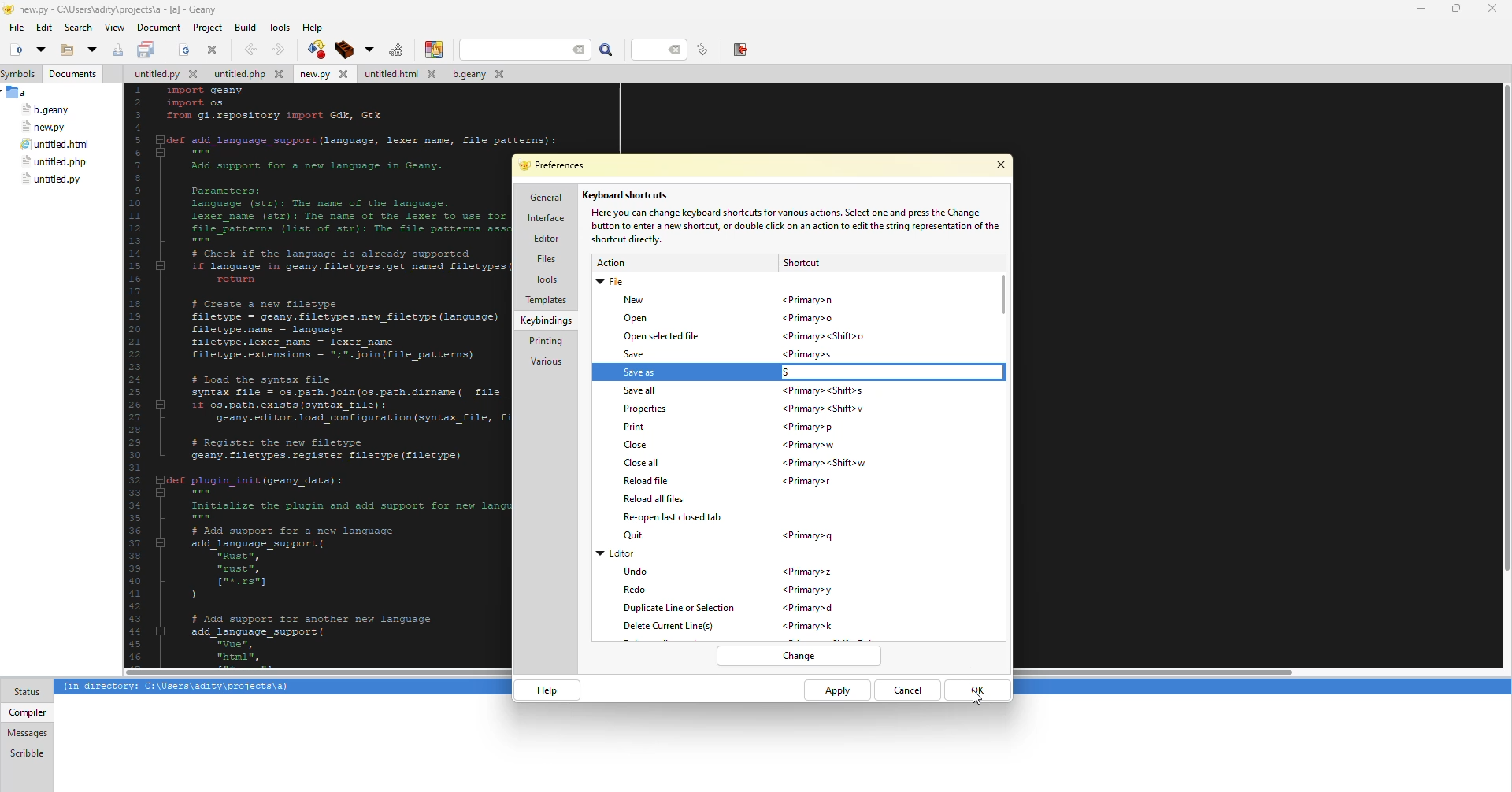 This screenshot has width=1512, height=792. I want to click on info, so click(791, 226).